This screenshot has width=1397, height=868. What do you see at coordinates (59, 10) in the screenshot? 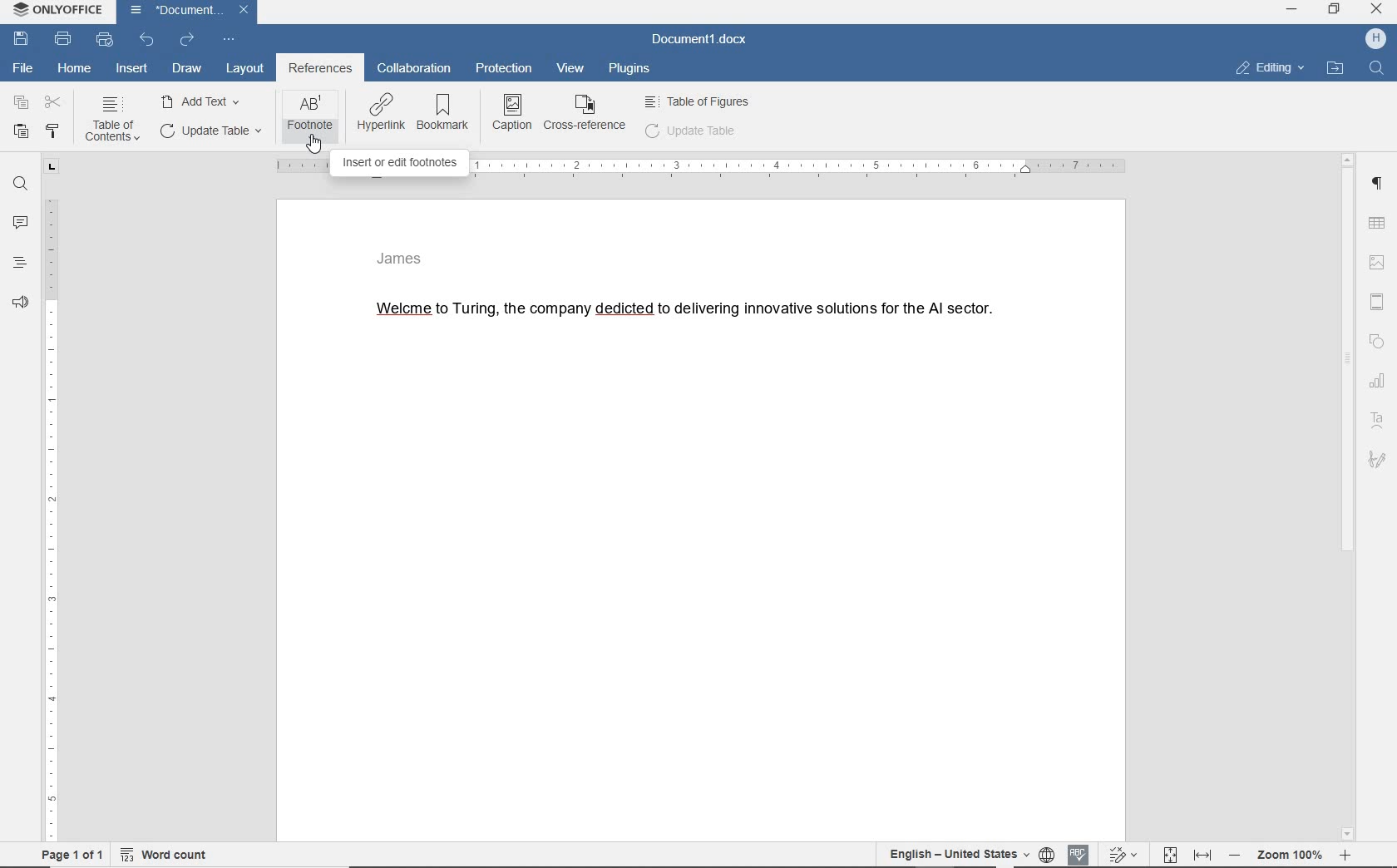
I see `system name` at bounding box center [59, 10].